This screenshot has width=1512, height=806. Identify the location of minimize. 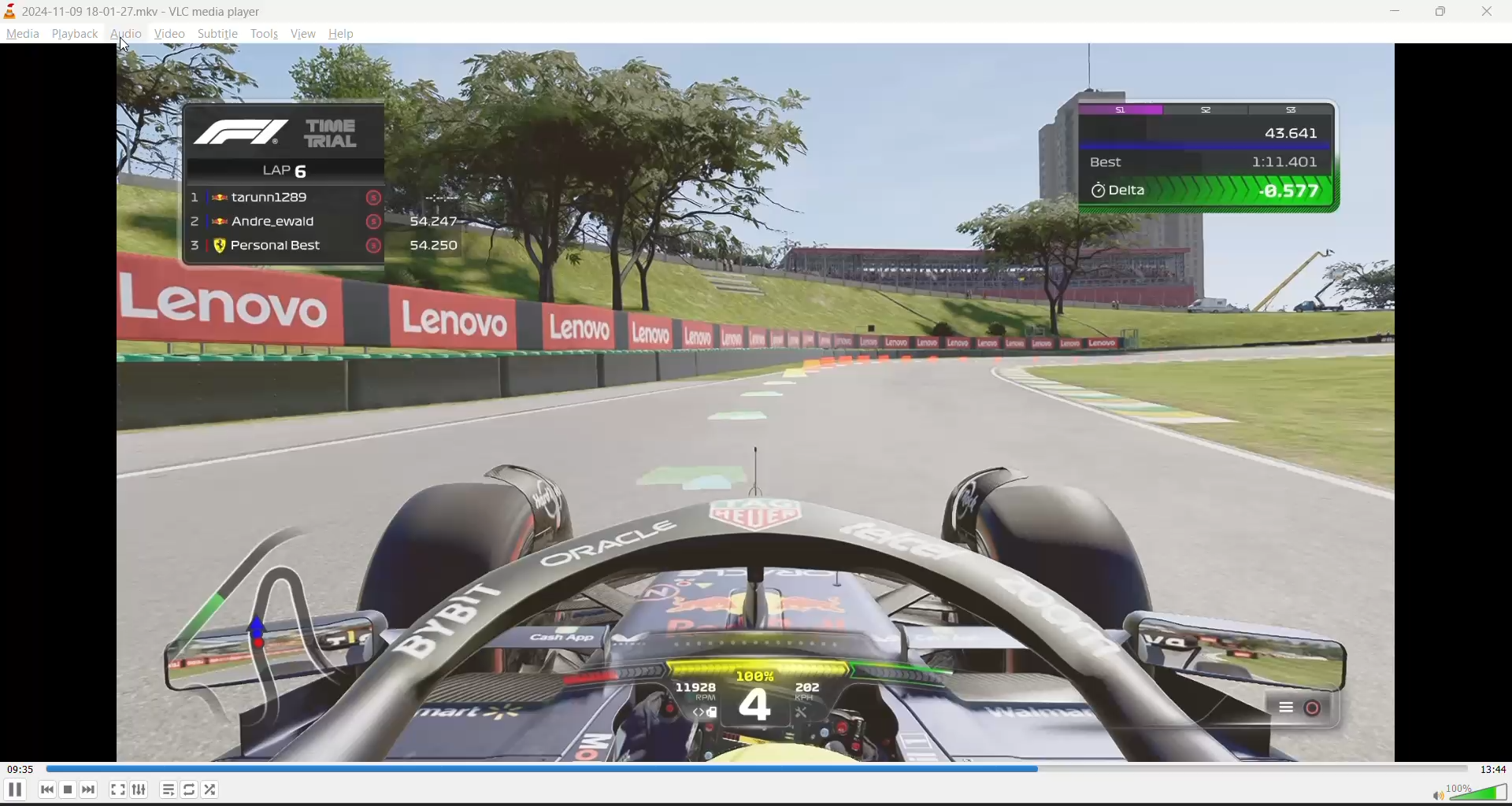
(1402, 12).